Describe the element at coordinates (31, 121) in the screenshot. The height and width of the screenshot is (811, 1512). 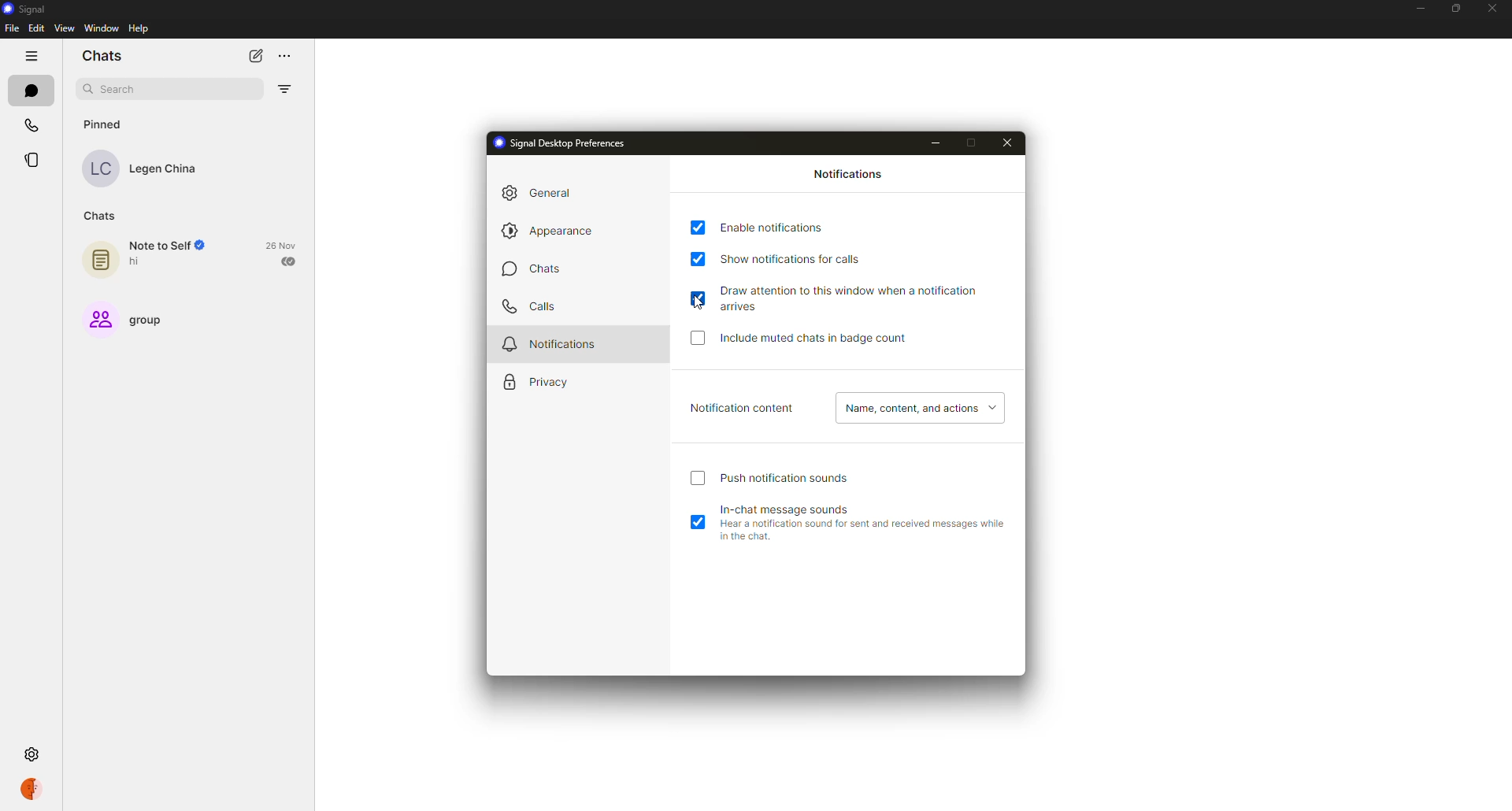
I see `calls` at that location.